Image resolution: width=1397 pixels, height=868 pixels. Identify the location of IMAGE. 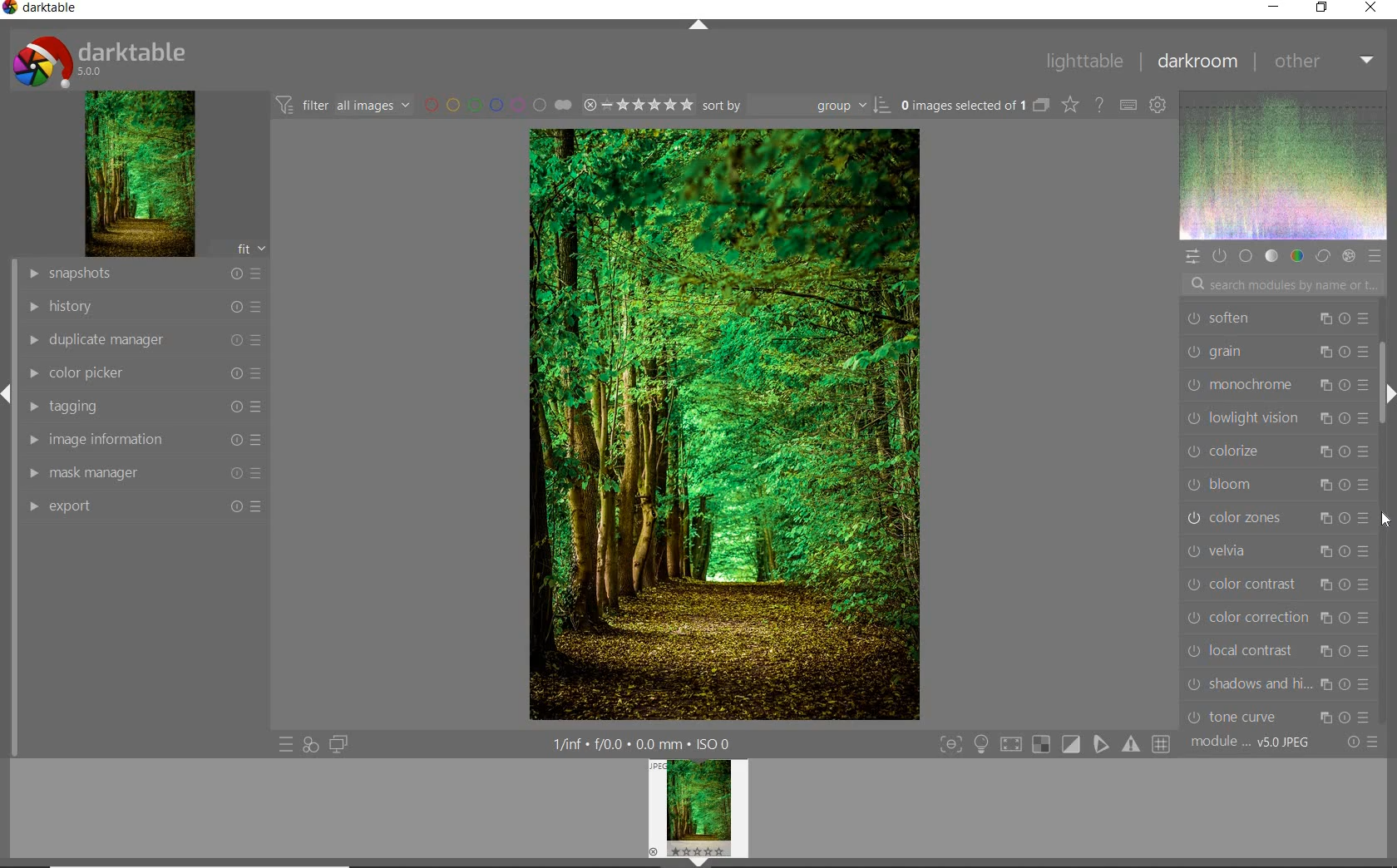
(137, 173).